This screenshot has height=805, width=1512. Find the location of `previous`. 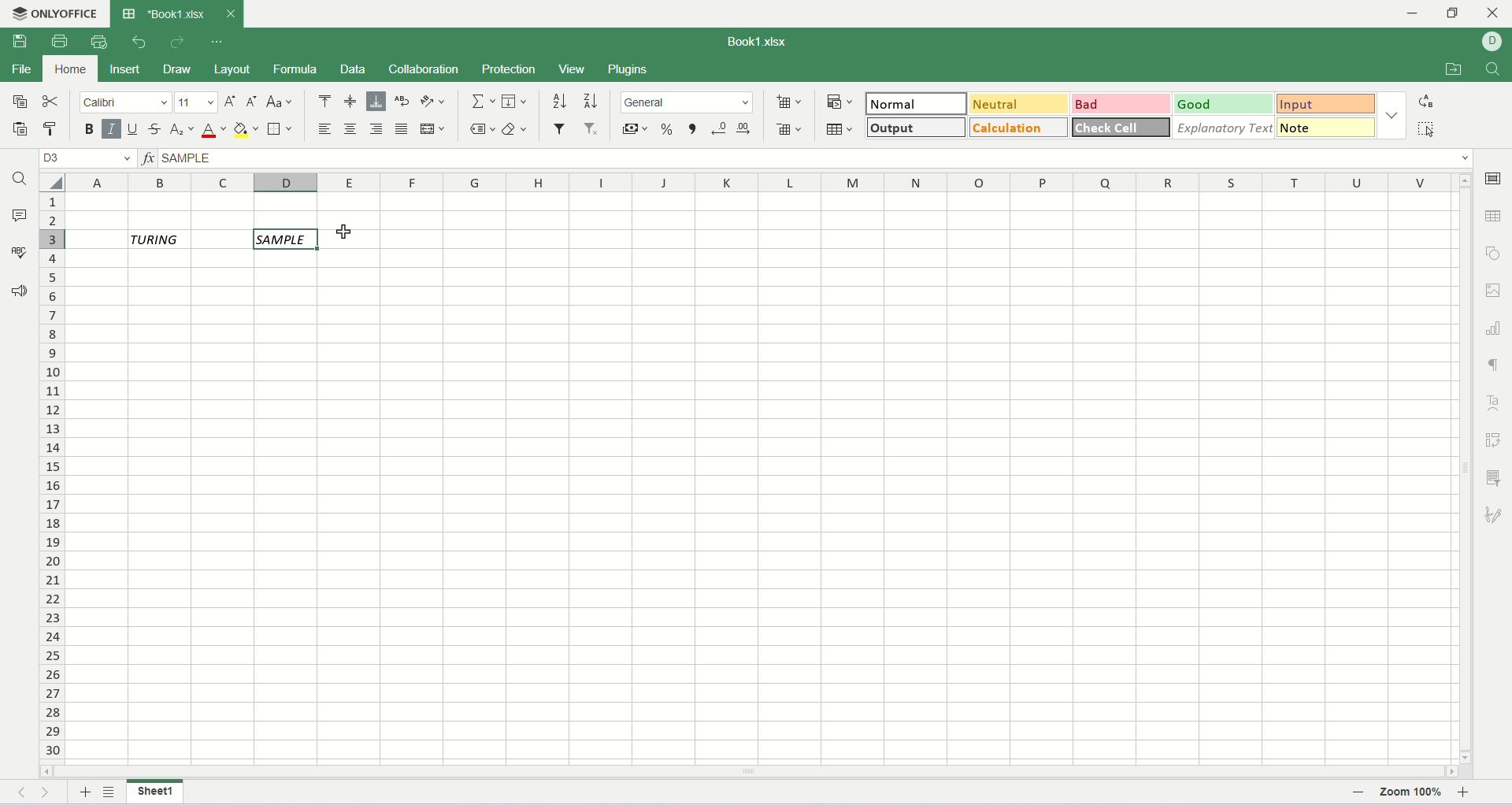

previous is located at coordinates (28, 795).